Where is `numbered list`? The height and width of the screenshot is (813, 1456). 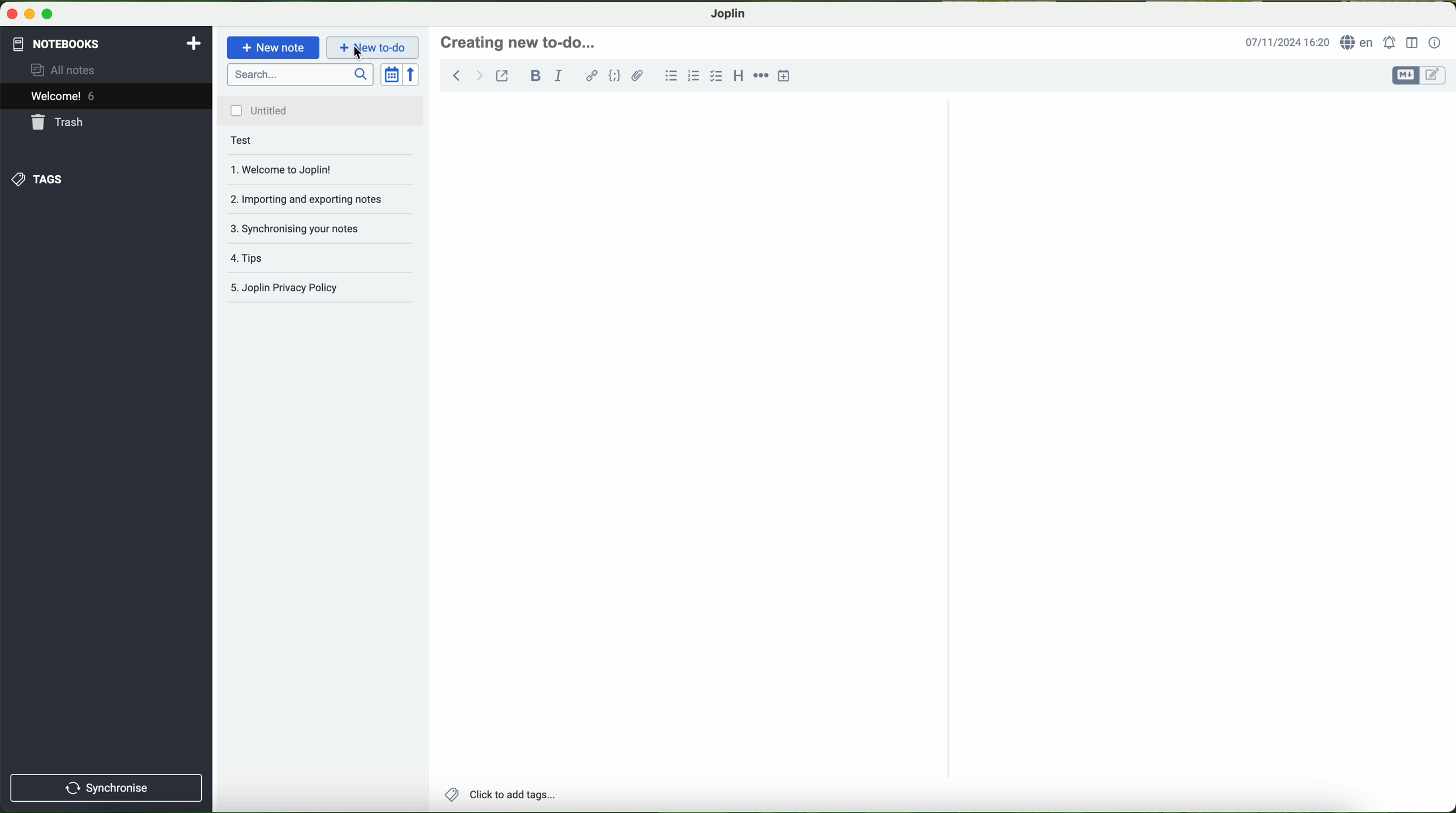
numbered list is located at coordinates (692, 75).